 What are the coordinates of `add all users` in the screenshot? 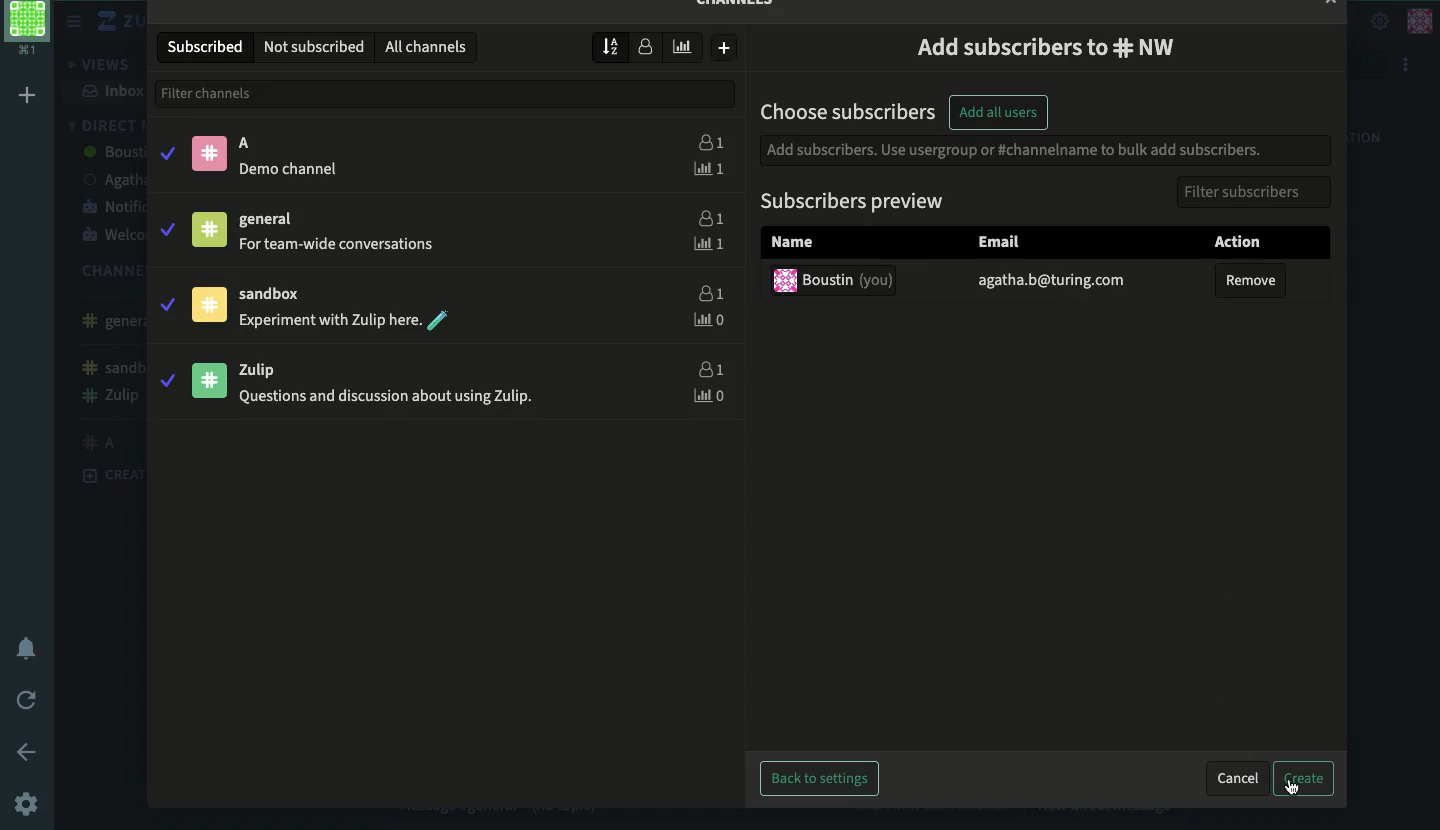 It's located at (1003, 112).